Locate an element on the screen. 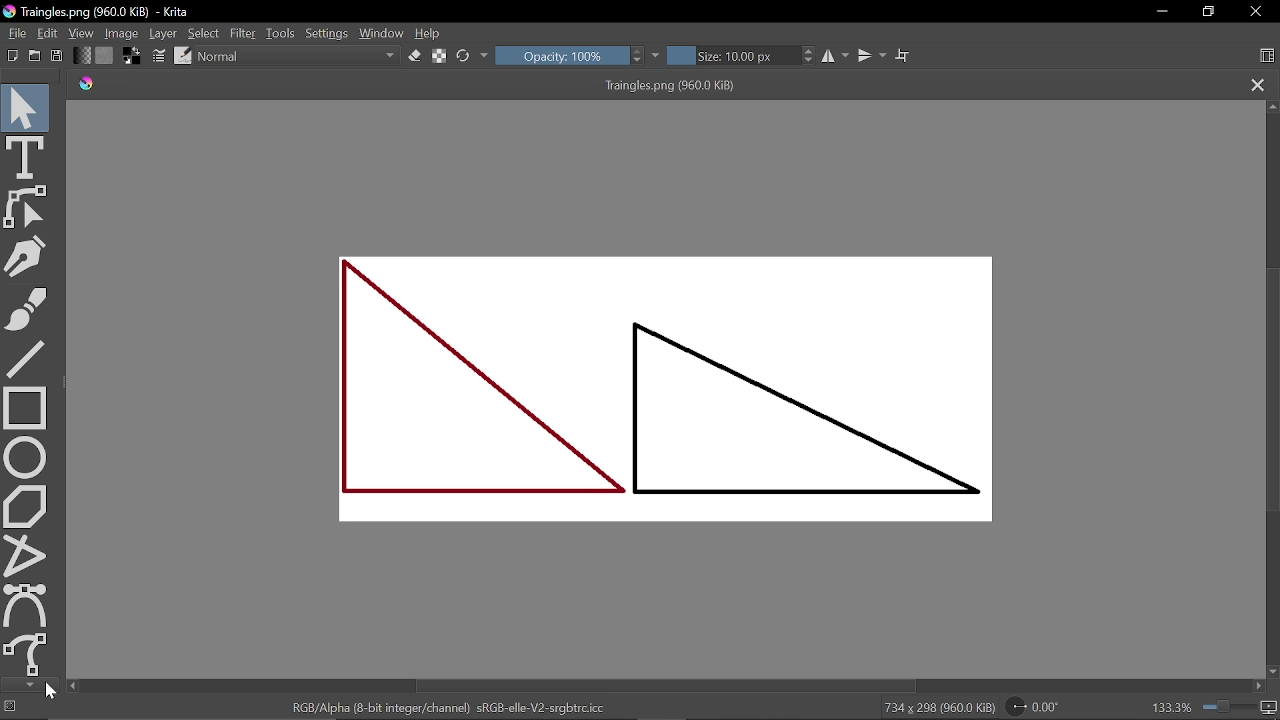 The height and width of the screenshot is (720, 1280). Zoom is located at coordinates (1226, 708).